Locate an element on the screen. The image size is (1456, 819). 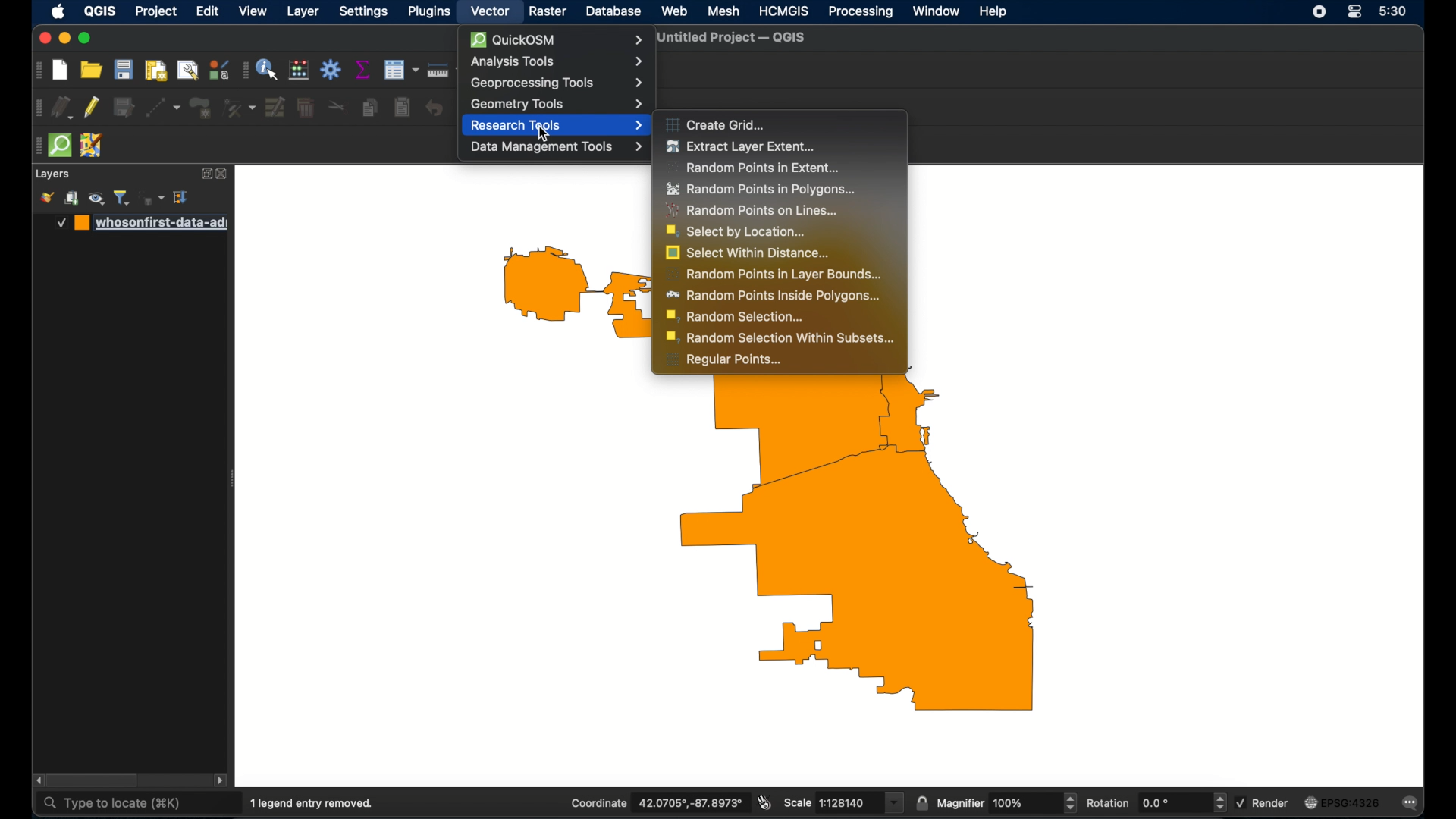
database is located at coordinates (613, 11).